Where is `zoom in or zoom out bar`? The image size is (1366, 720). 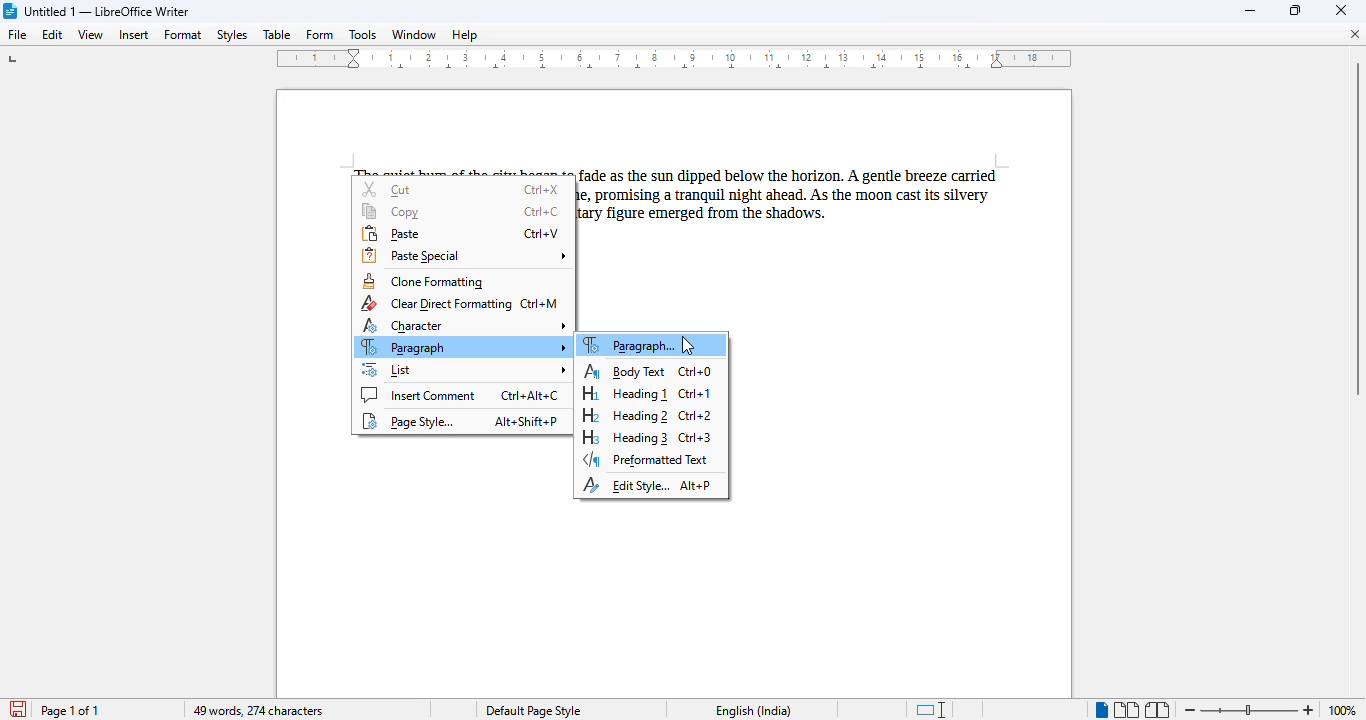
zoom in or zoom out bar is located at coordinates (1248, 711).